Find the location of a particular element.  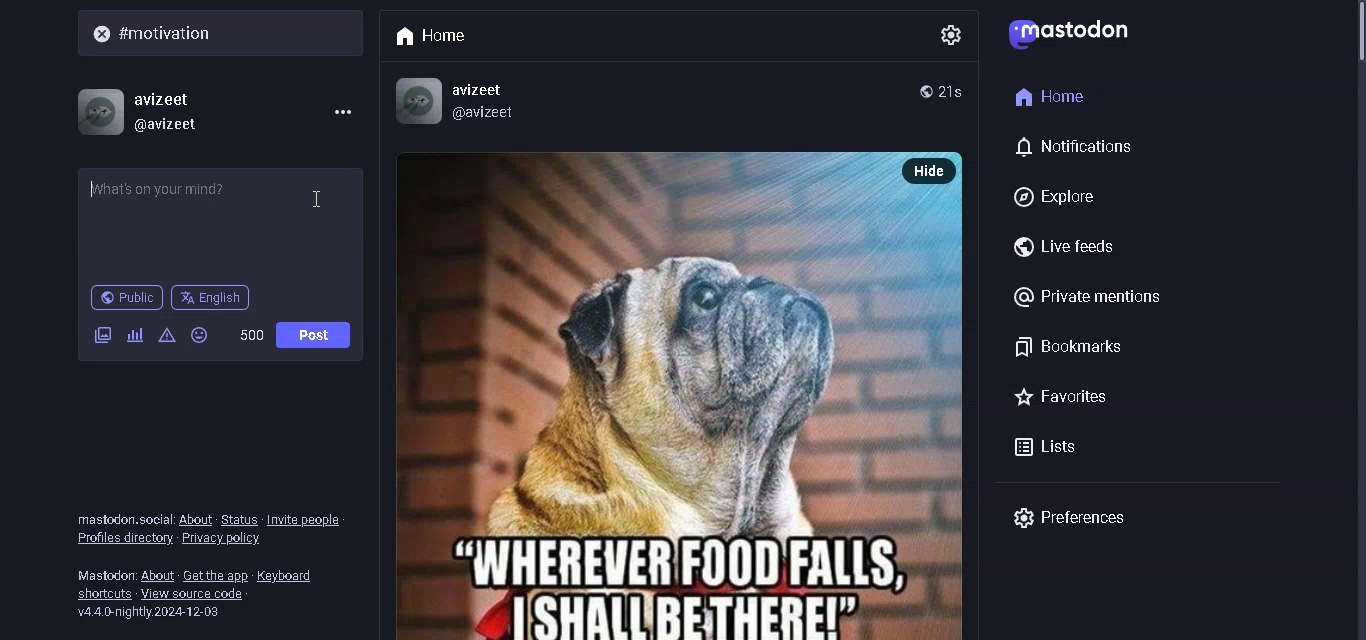

privacy policy is located at coordinates (229, 539).